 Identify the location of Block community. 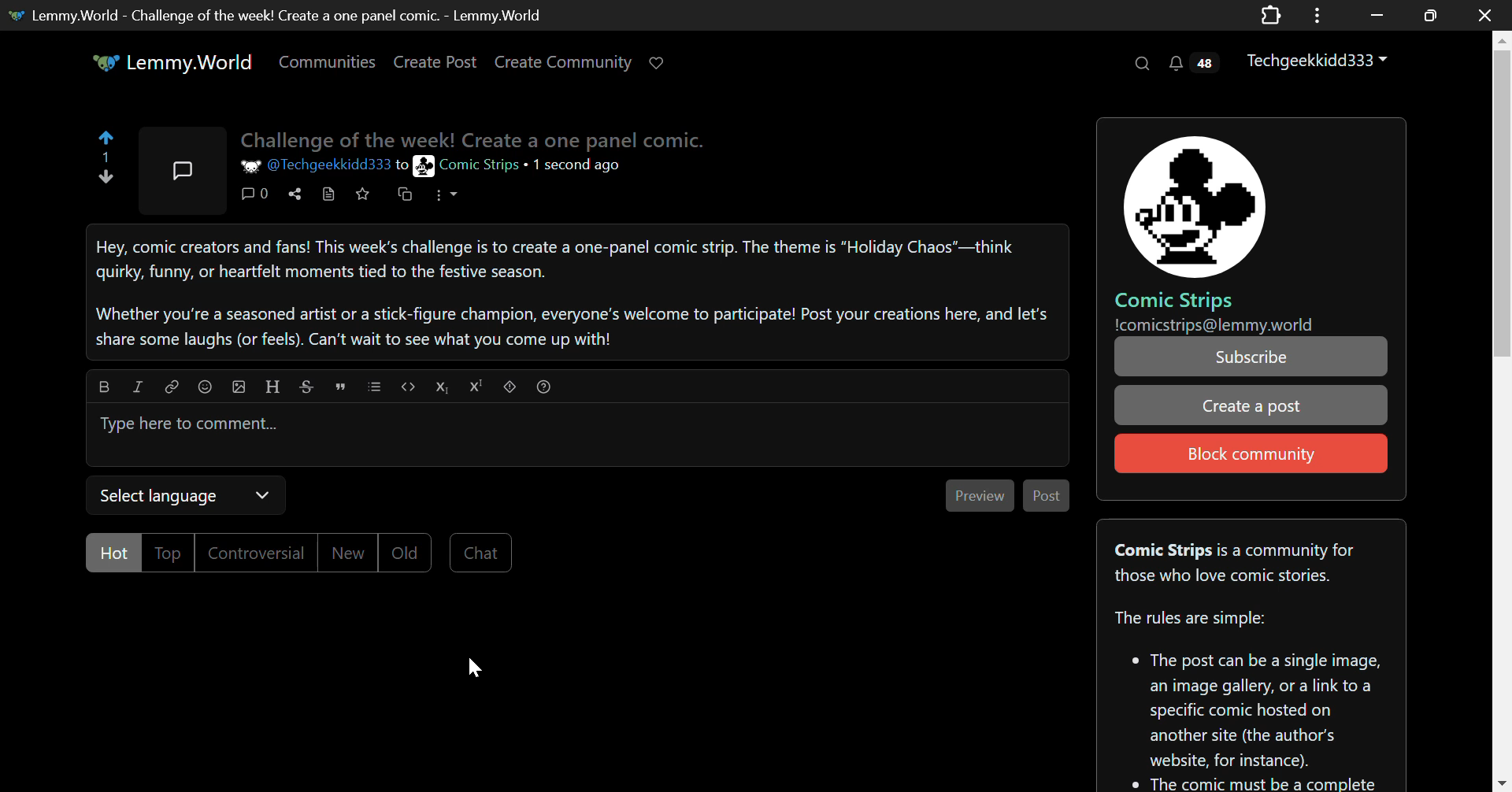
(1251, 451).